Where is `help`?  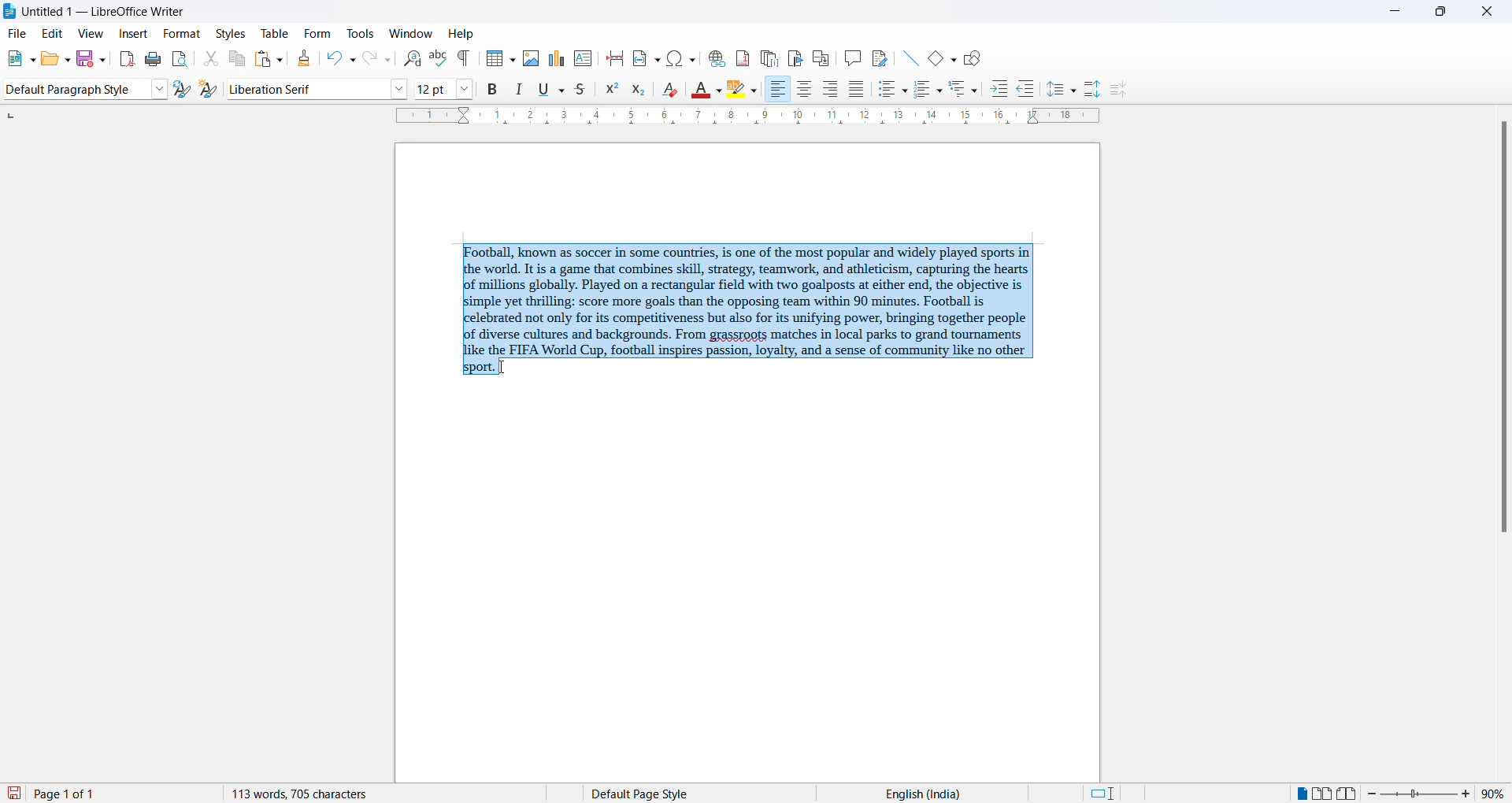
help is located at coordinates (461, 33).